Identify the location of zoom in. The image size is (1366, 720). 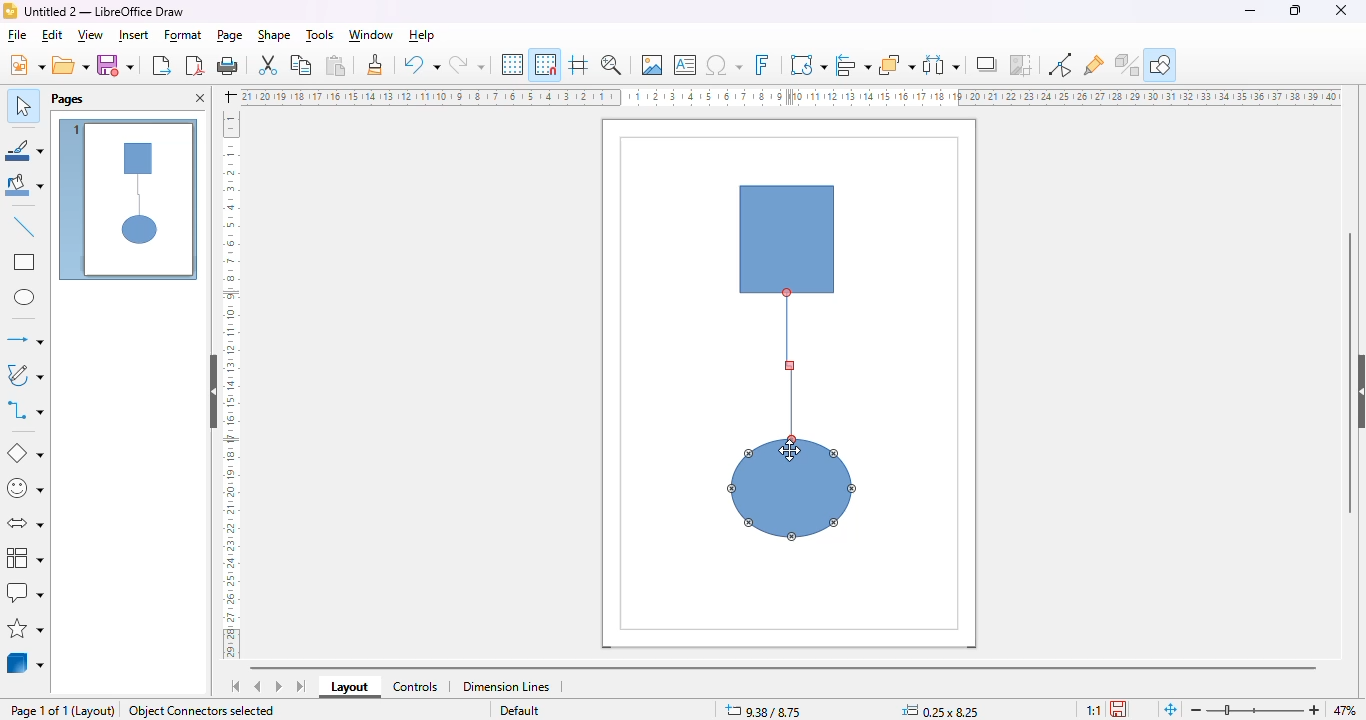
(1311, 710).